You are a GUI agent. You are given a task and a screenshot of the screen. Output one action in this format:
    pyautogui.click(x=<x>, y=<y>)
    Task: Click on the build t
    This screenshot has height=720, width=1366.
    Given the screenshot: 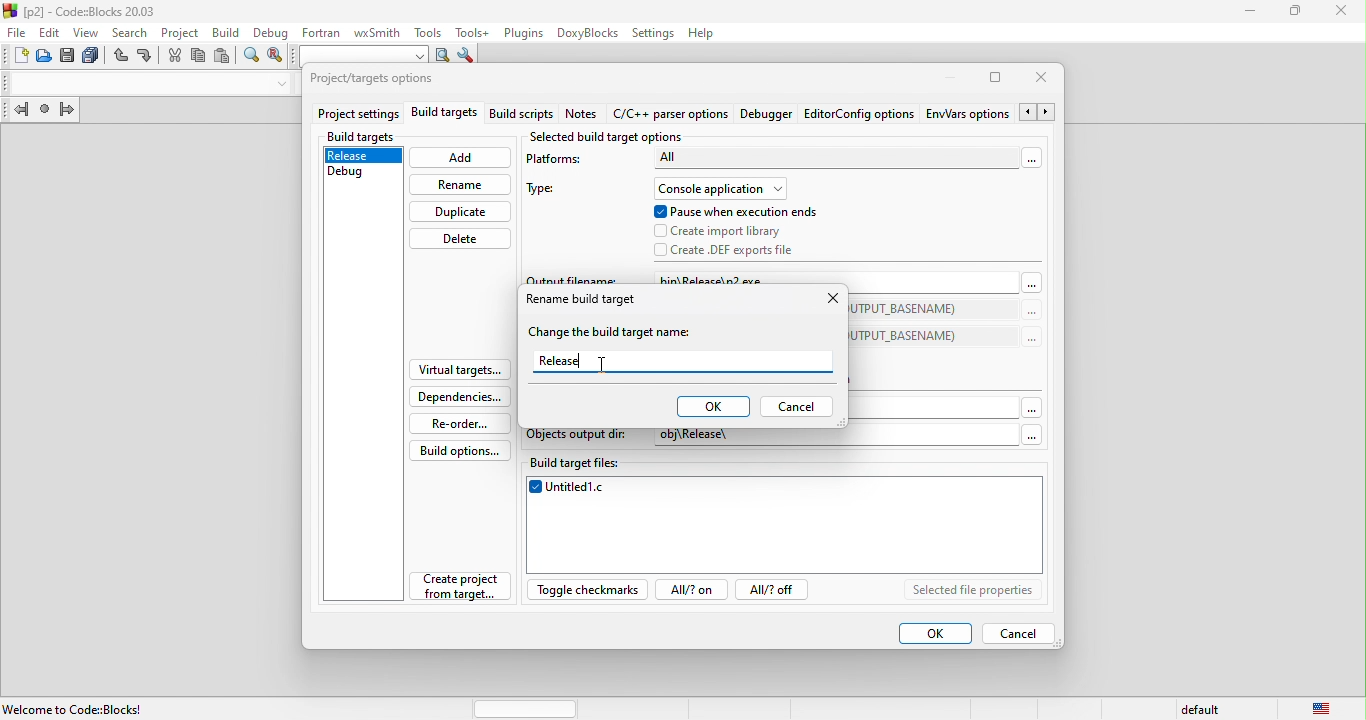 What is the action you would take?
    pyautogui.click(x=786, y=466)
    